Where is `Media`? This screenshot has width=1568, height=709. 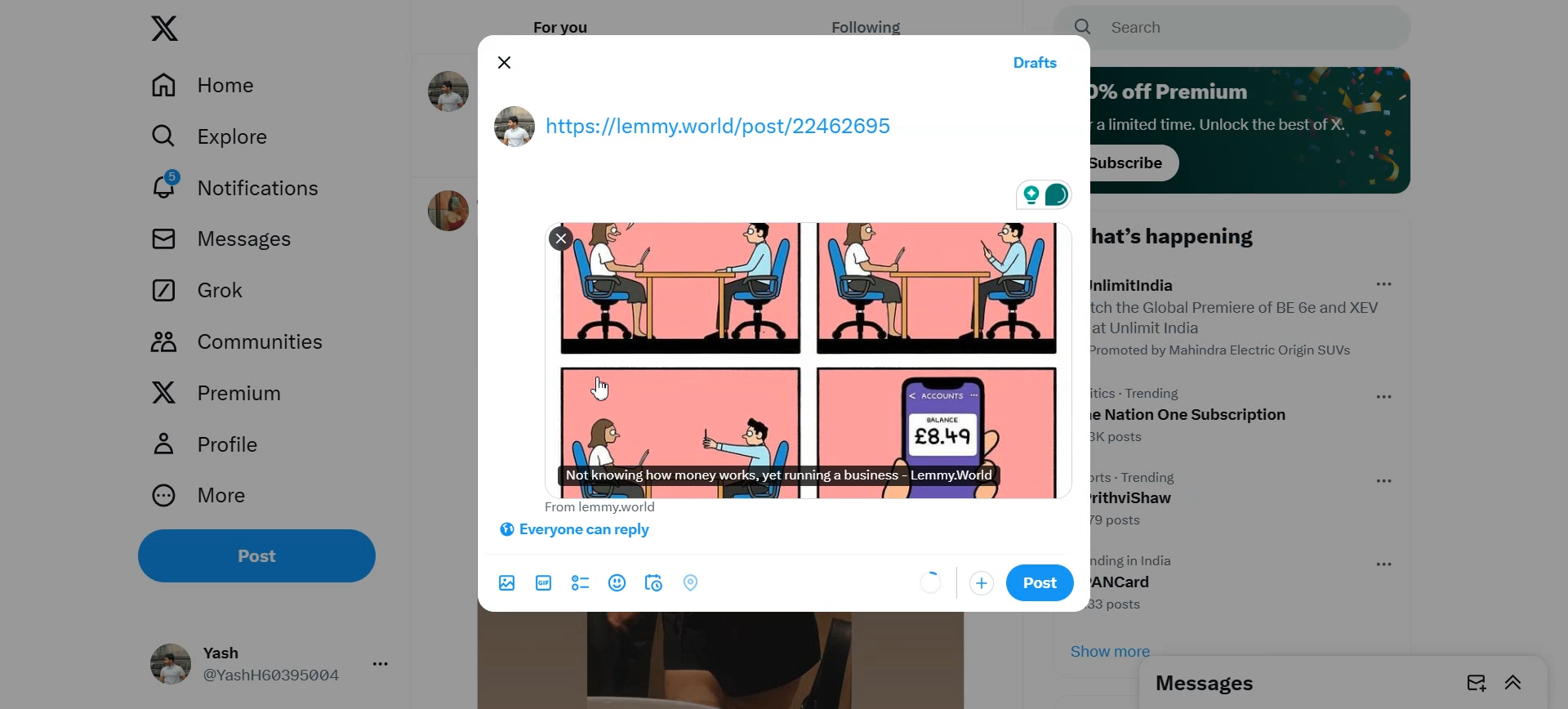
Media is located at coordinates (506, 584).